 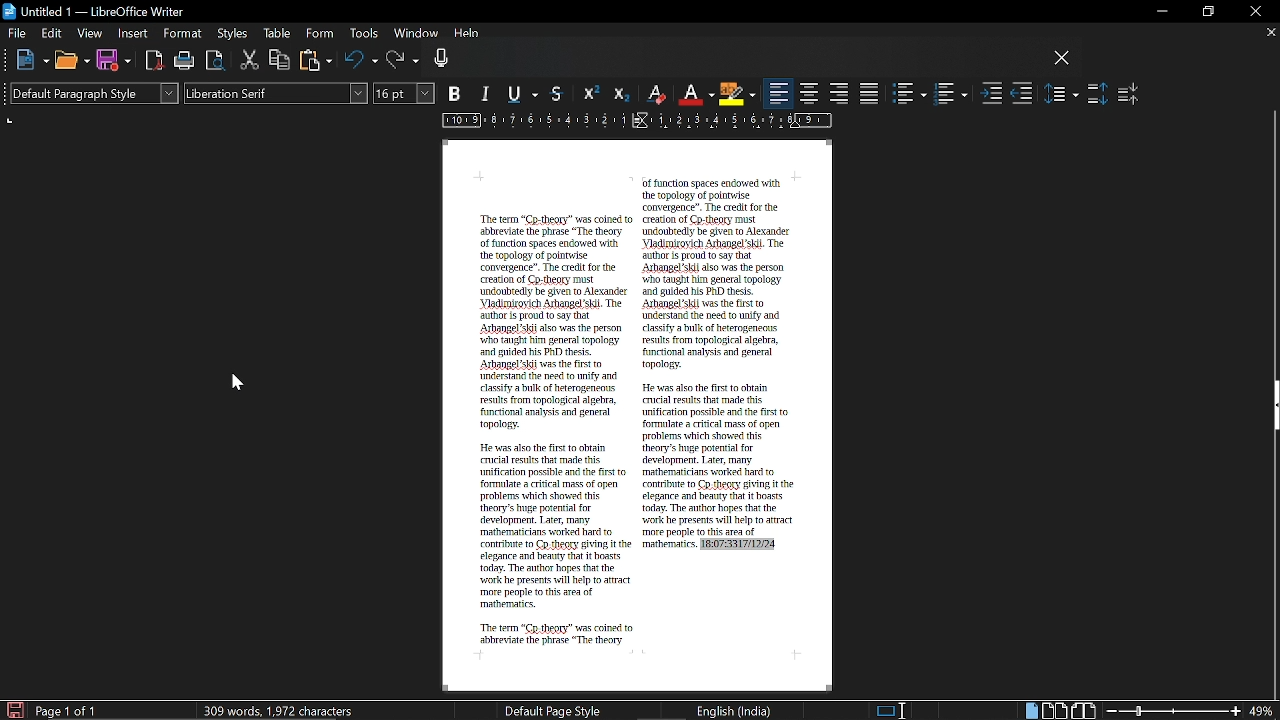 What do you see at coordinates (1062, 59) in the screenshot?
I see `CLose` at bounding box center [1062, 59].